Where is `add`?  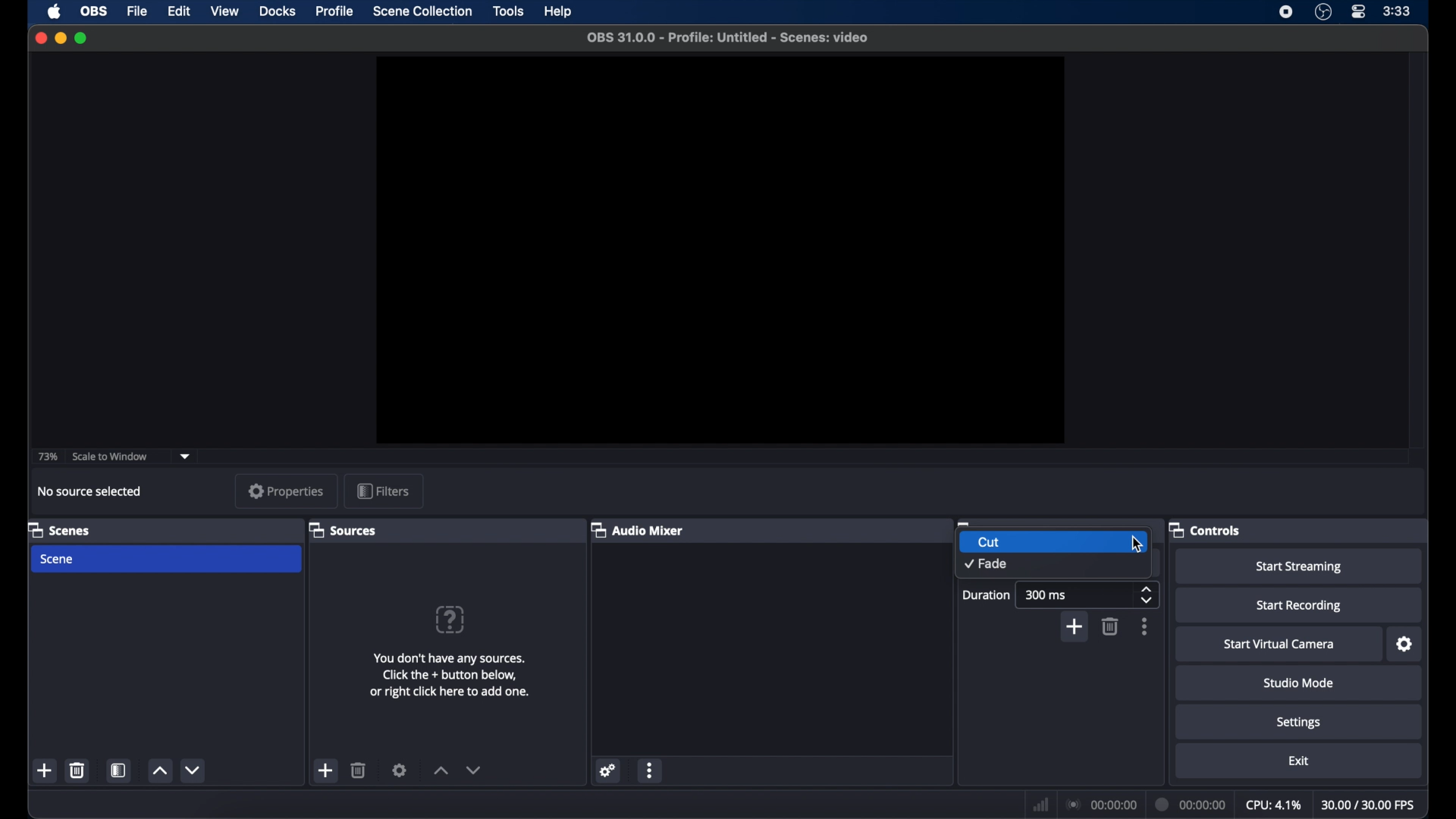
add is located at coordinates (327, 770).